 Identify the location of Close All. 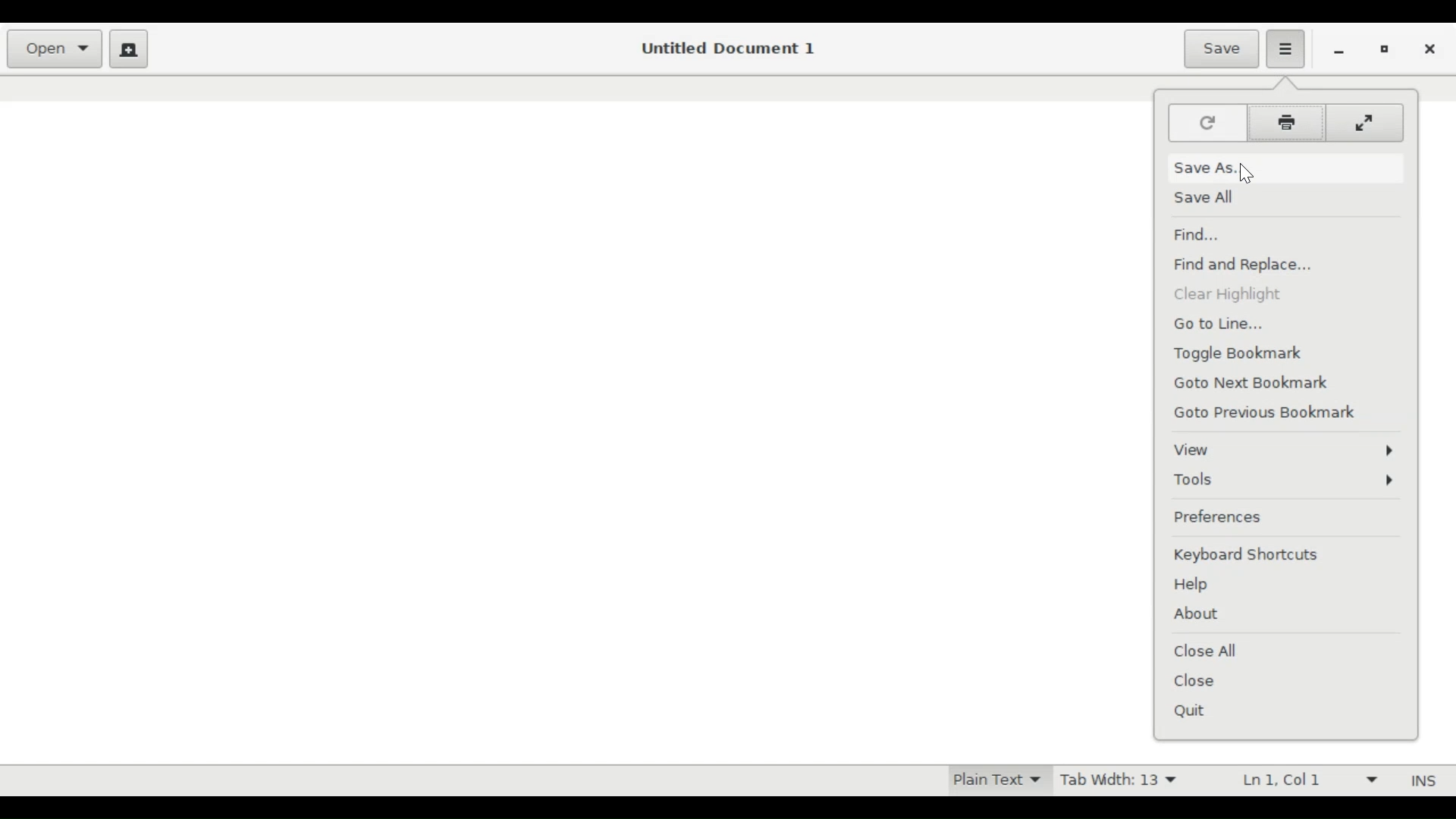
(1207, 651).